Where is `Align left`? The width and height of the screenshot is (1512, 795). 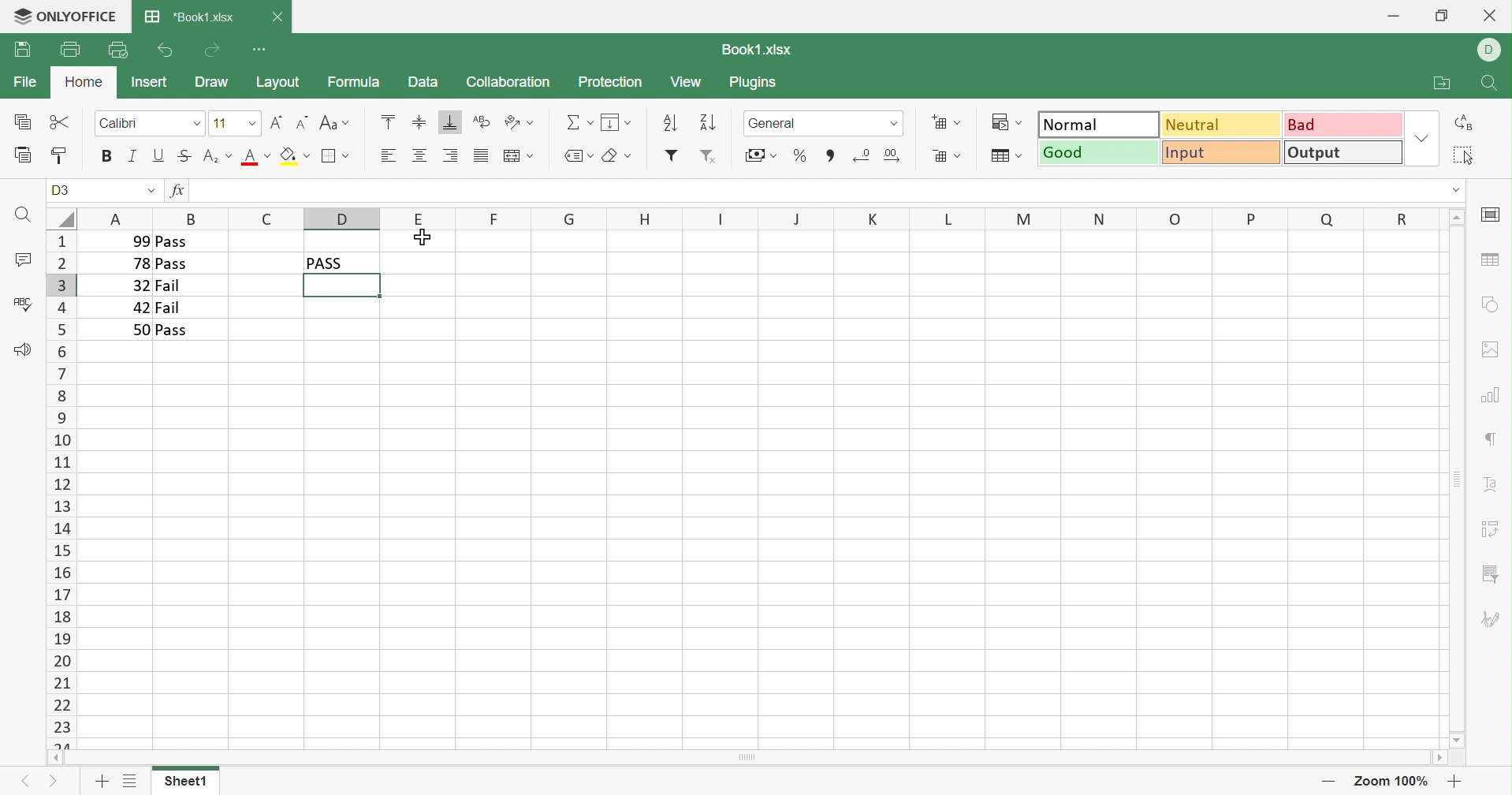
Align left is located at coordinates (386, 156).